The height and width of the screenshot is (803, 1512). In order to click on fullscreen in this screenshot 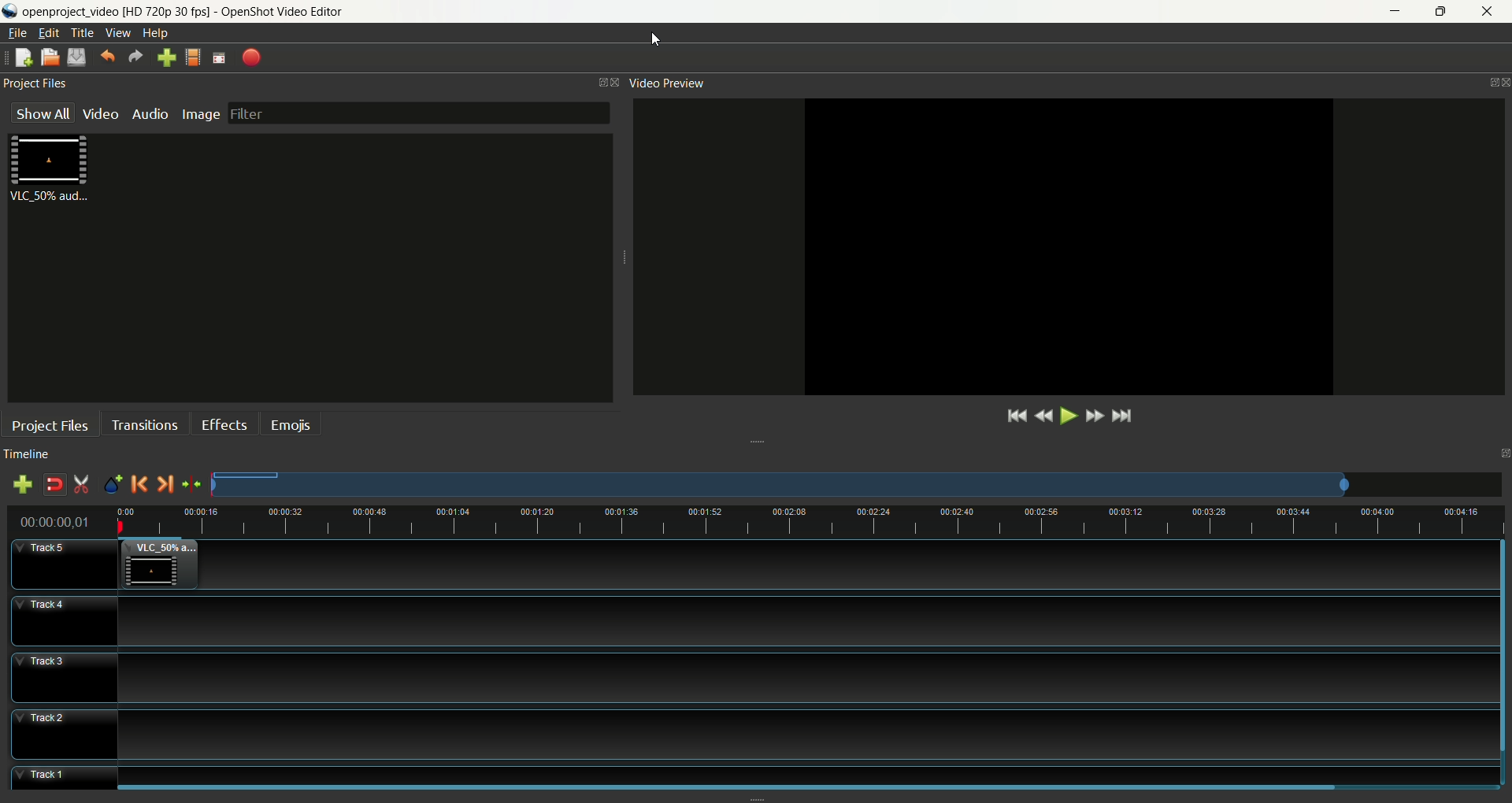, I will do `click(220, 57)`.